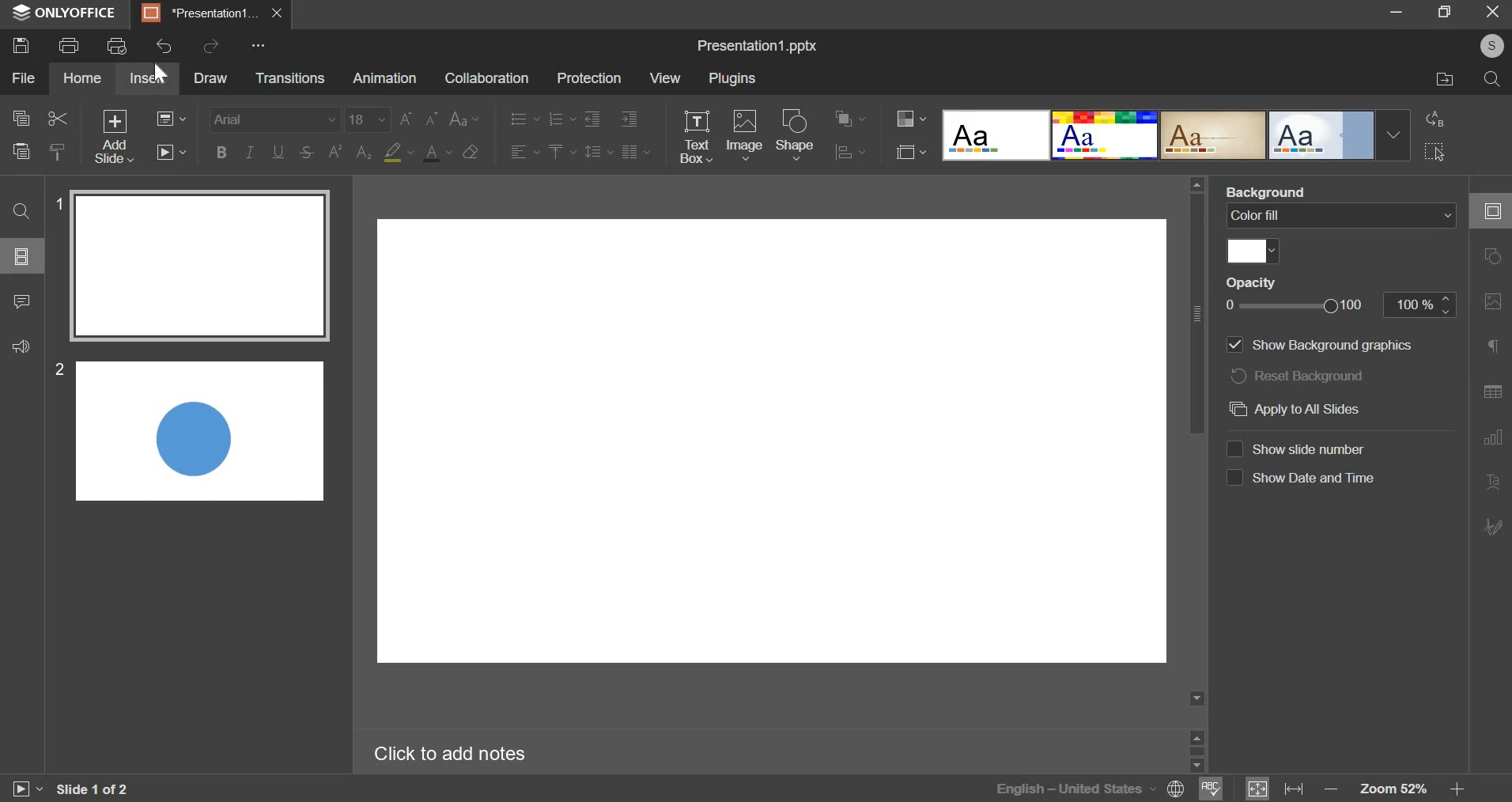  Describe the element at coordinates (163, 74) in the screenshot. I see `cursor` at that location.